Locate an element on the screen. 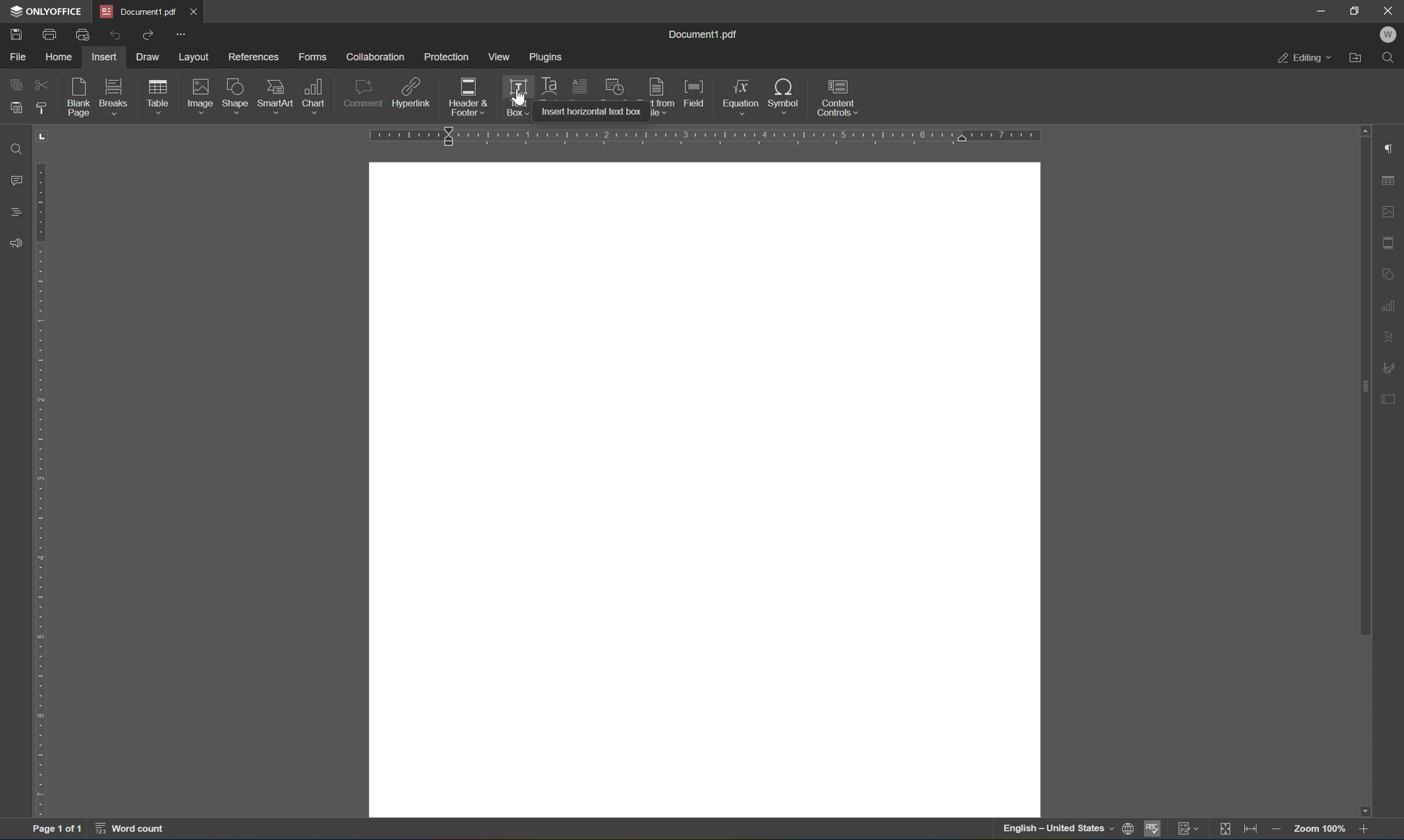 The height and width of the screenshot is (840, 1404). chart is located at coordinates (314, 96).